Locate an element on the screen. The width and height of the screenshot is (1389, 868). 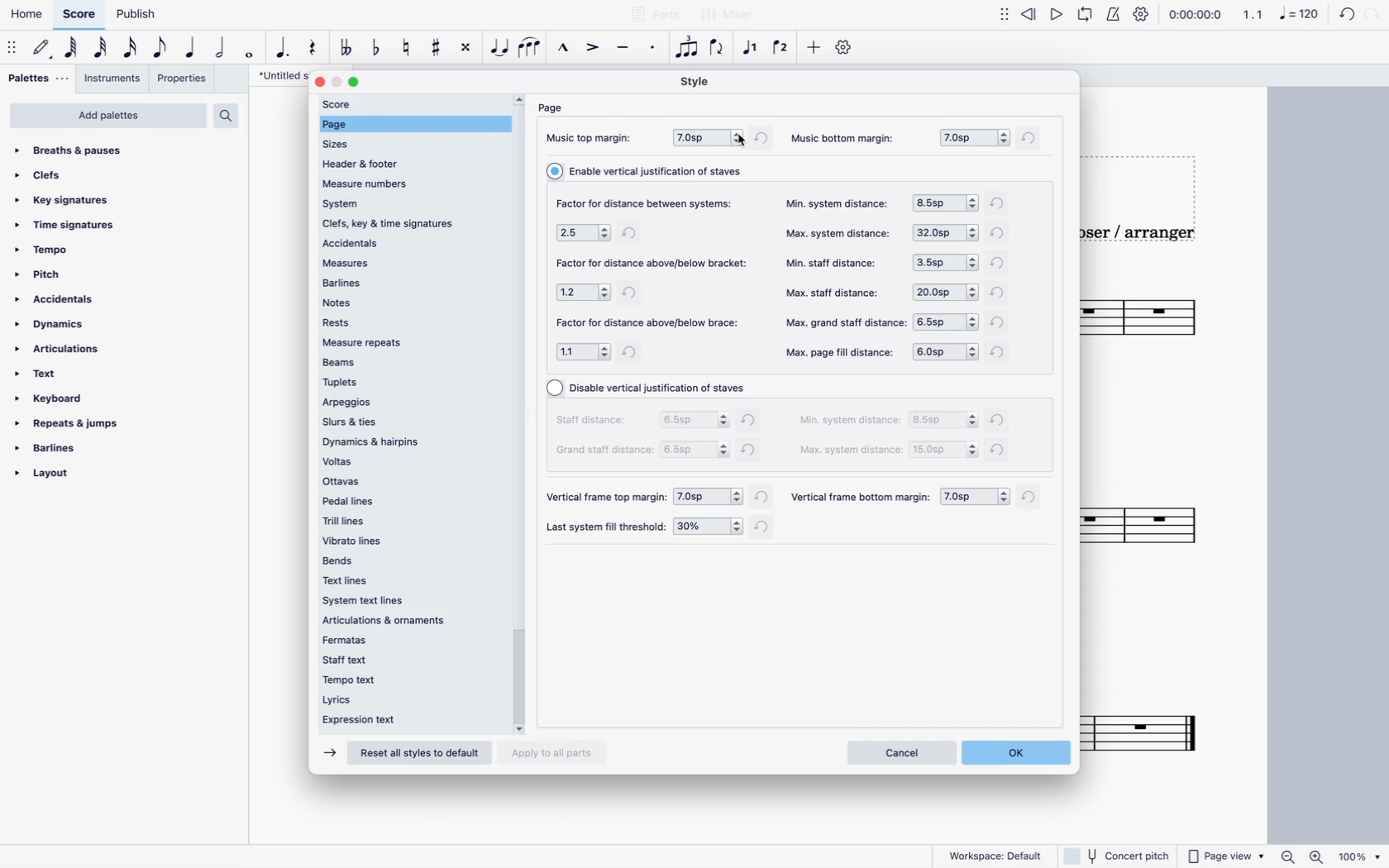
rests is located at coordinates (407, 322).